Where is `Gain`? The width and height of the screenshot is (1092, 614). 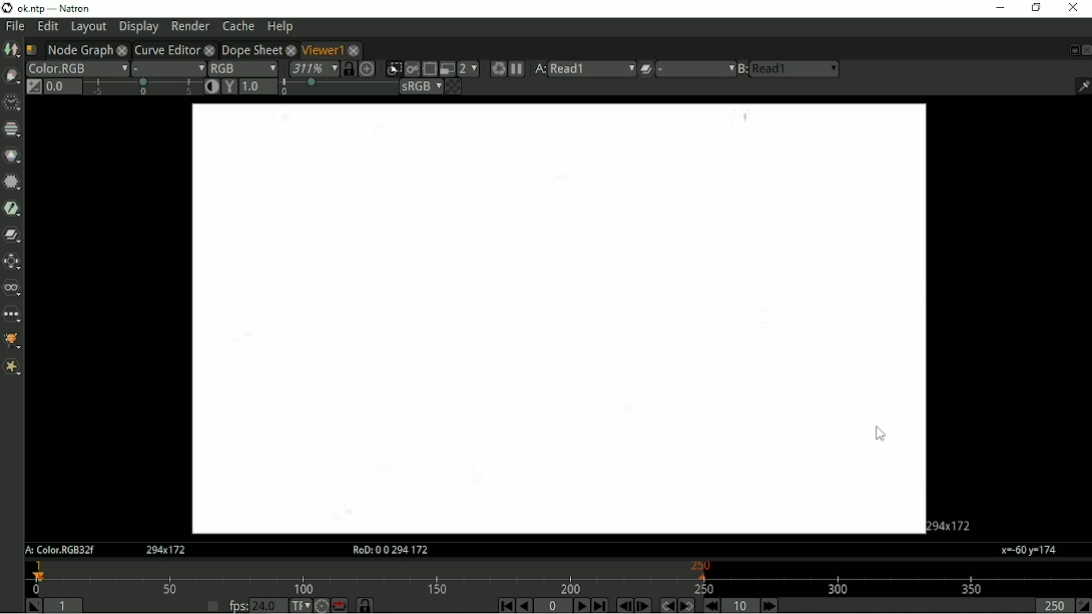
Gain is located at coordinates (63, 87).